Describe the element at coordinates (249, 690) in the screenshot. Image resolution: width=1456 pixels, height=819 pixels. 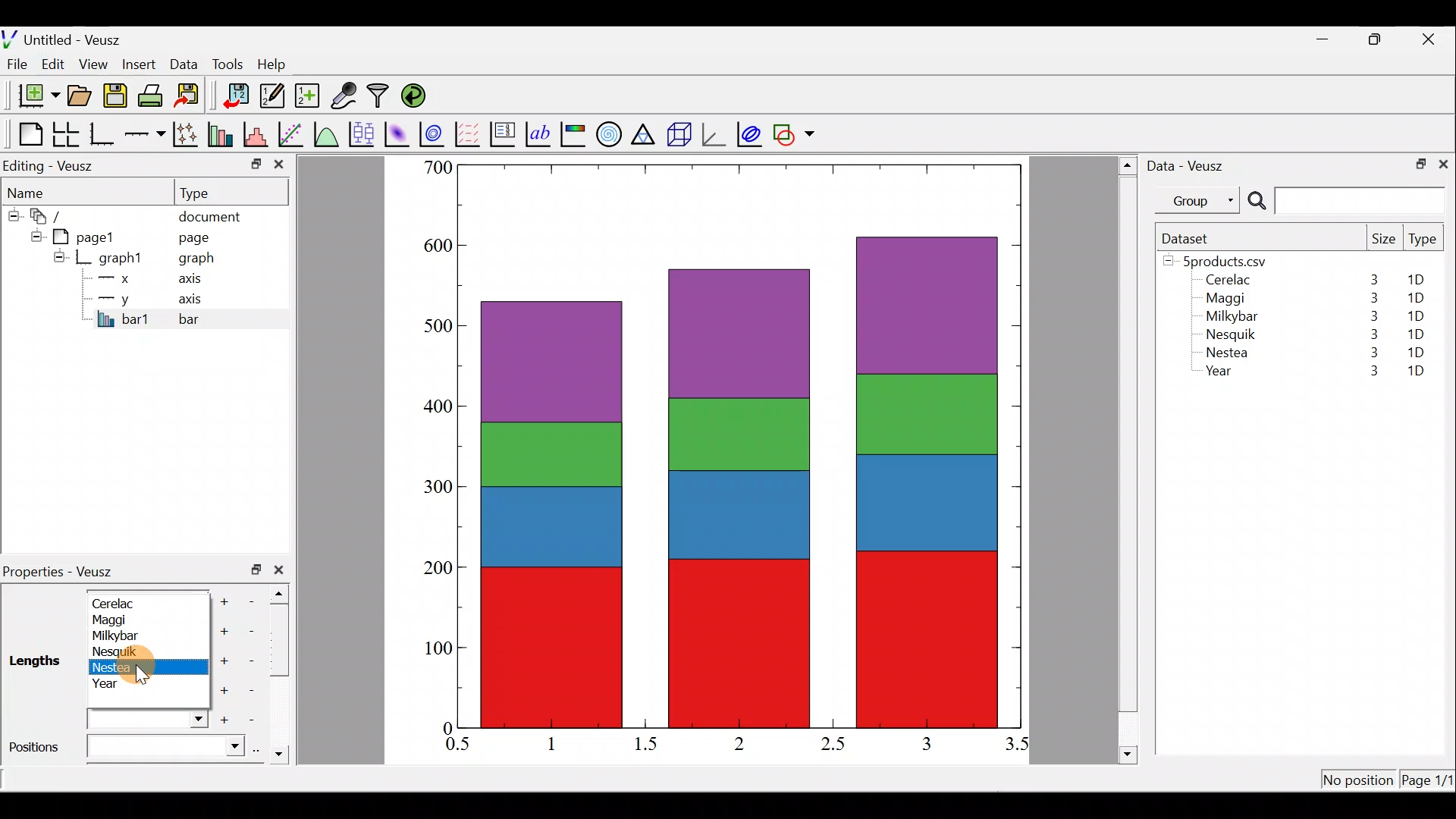
I see `Remove item` at that location.